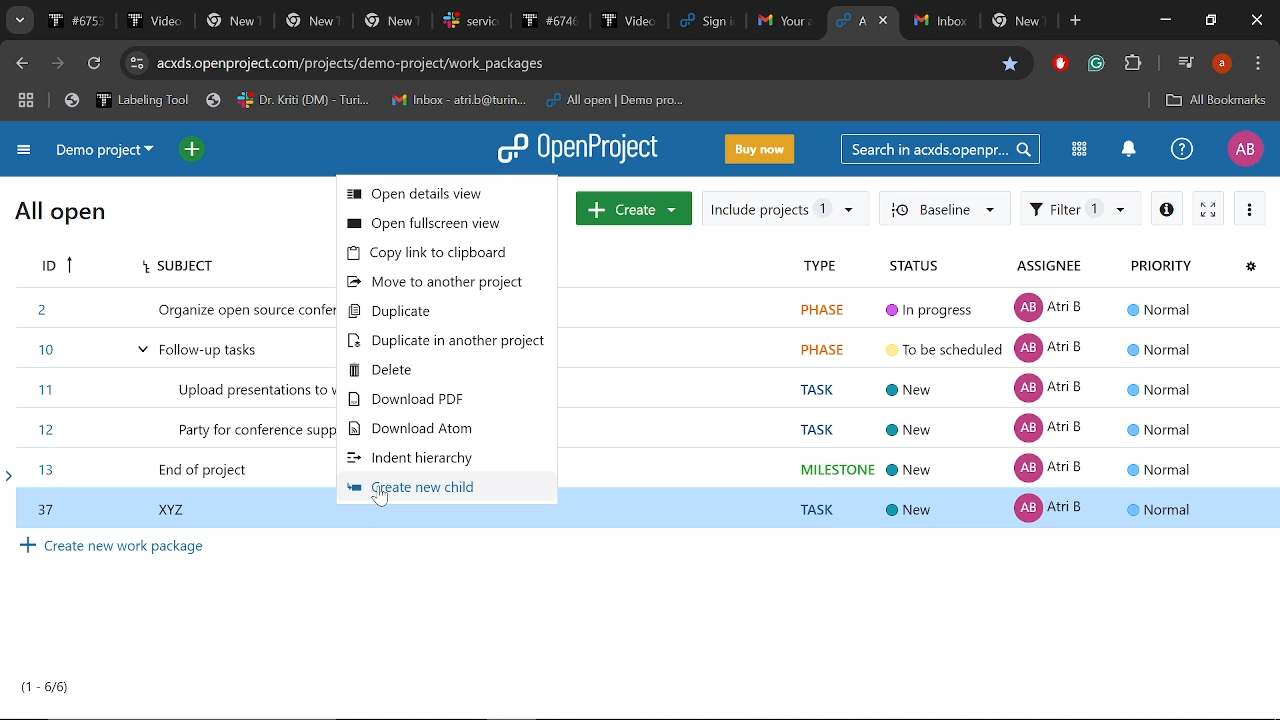 The image size is (1280, 720). Describe the element at coordinates (981, 22) in the screenshot. I see `Other tabs` at that location.